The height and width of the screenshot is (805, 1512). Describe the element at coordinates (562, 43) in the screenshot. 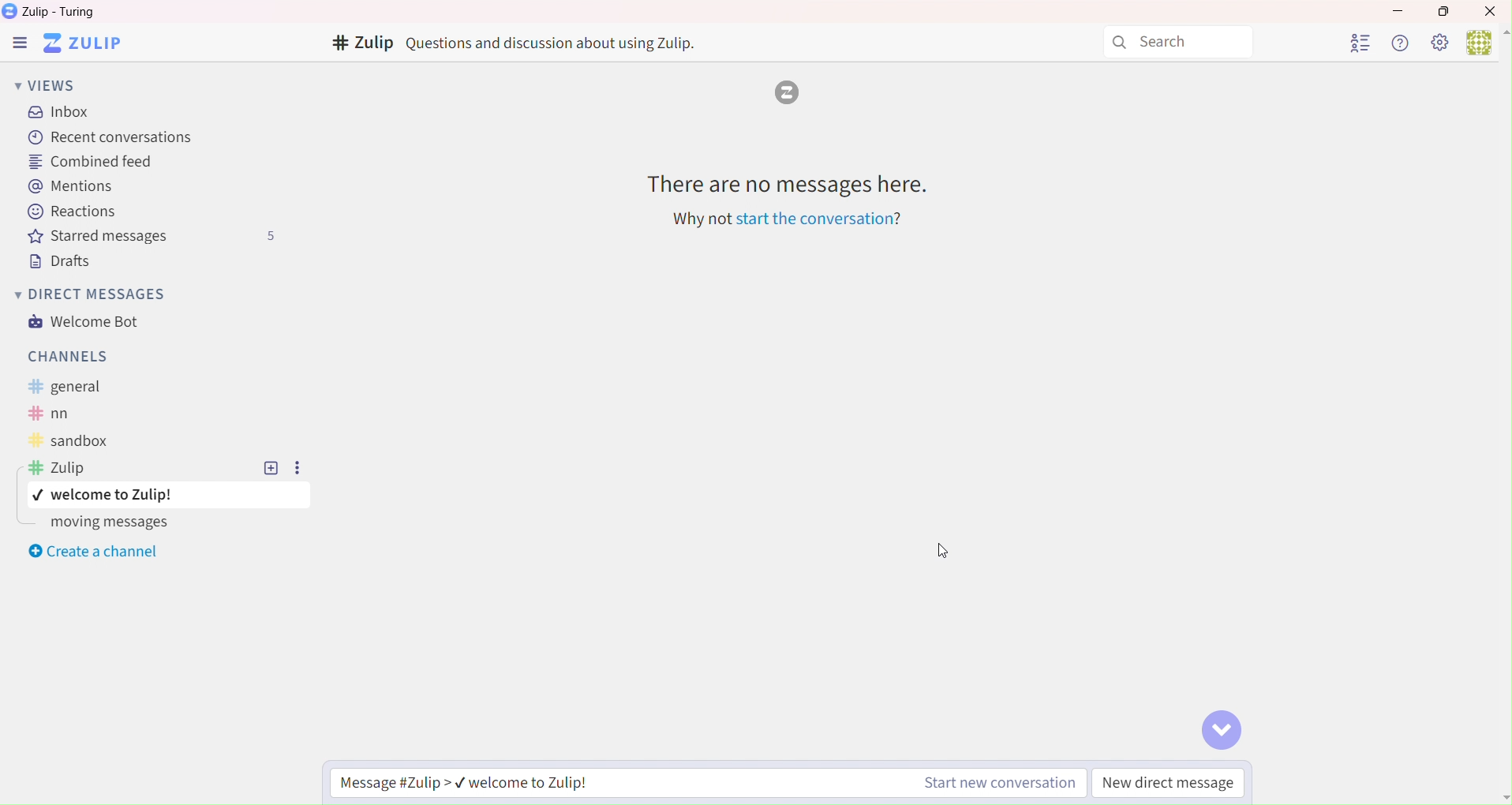

I see `Text` at that location.